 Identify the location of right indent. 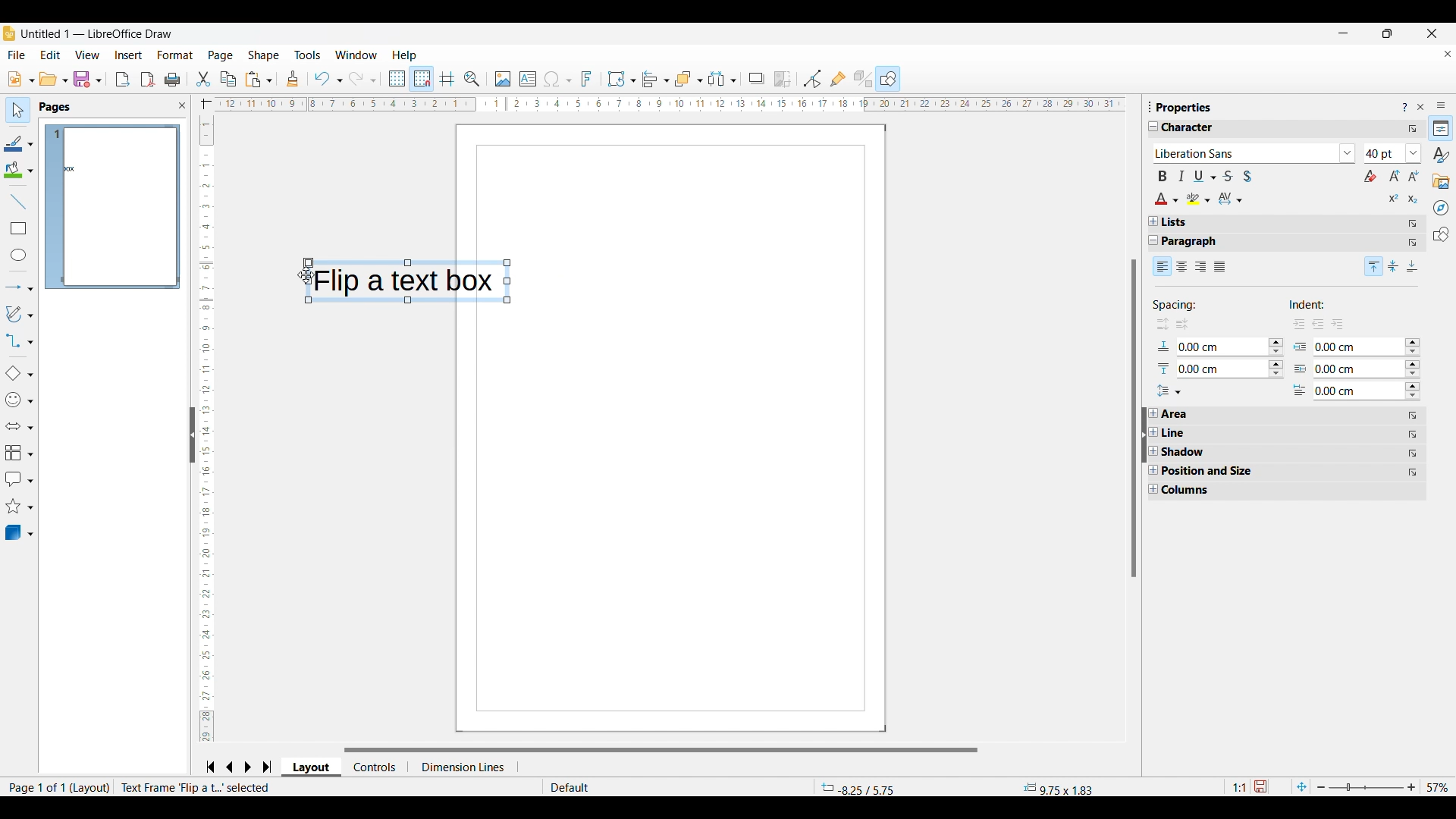
(1292, 325).